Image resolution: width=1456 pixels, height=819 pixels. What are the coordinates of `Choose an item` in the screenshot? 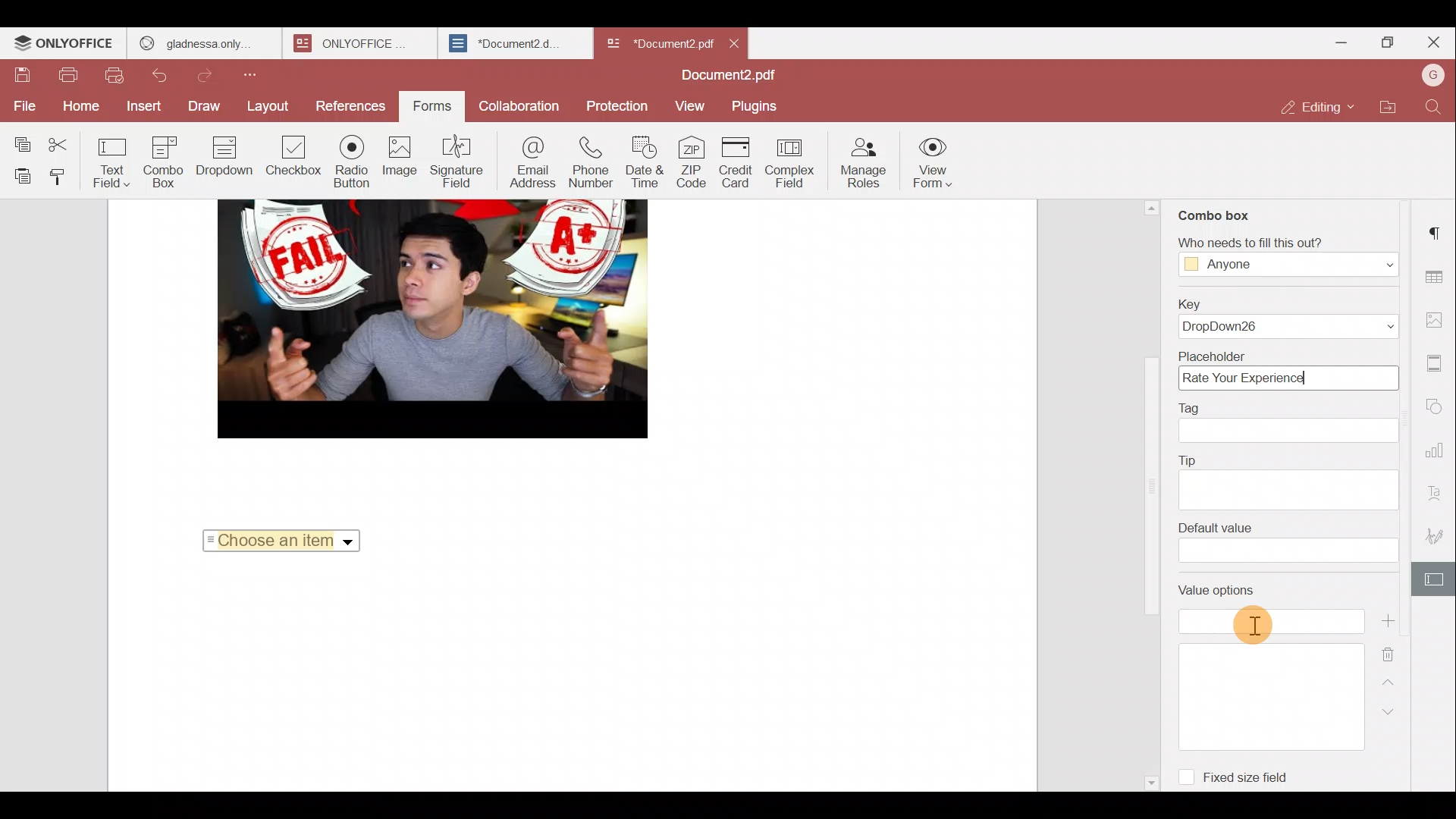 It's located at (284, 539).